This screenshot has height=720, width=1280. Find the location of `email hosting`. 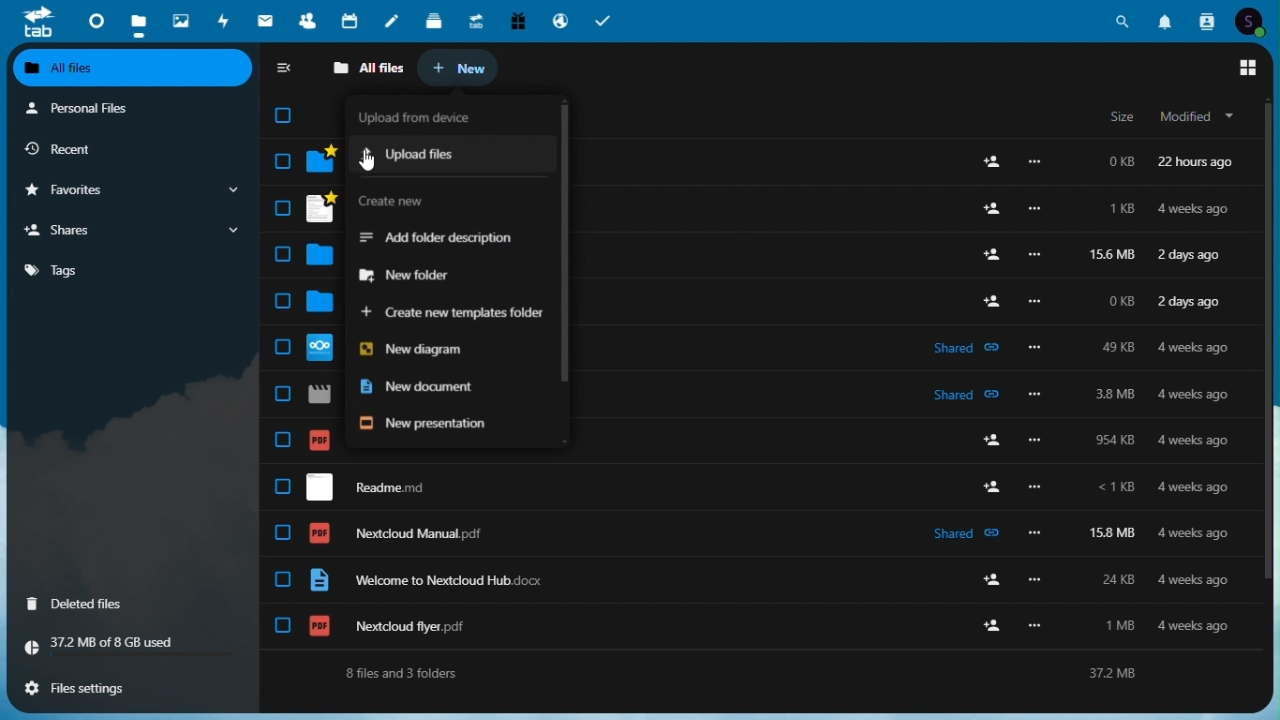

email hosting is located at coordinates (561, 20).